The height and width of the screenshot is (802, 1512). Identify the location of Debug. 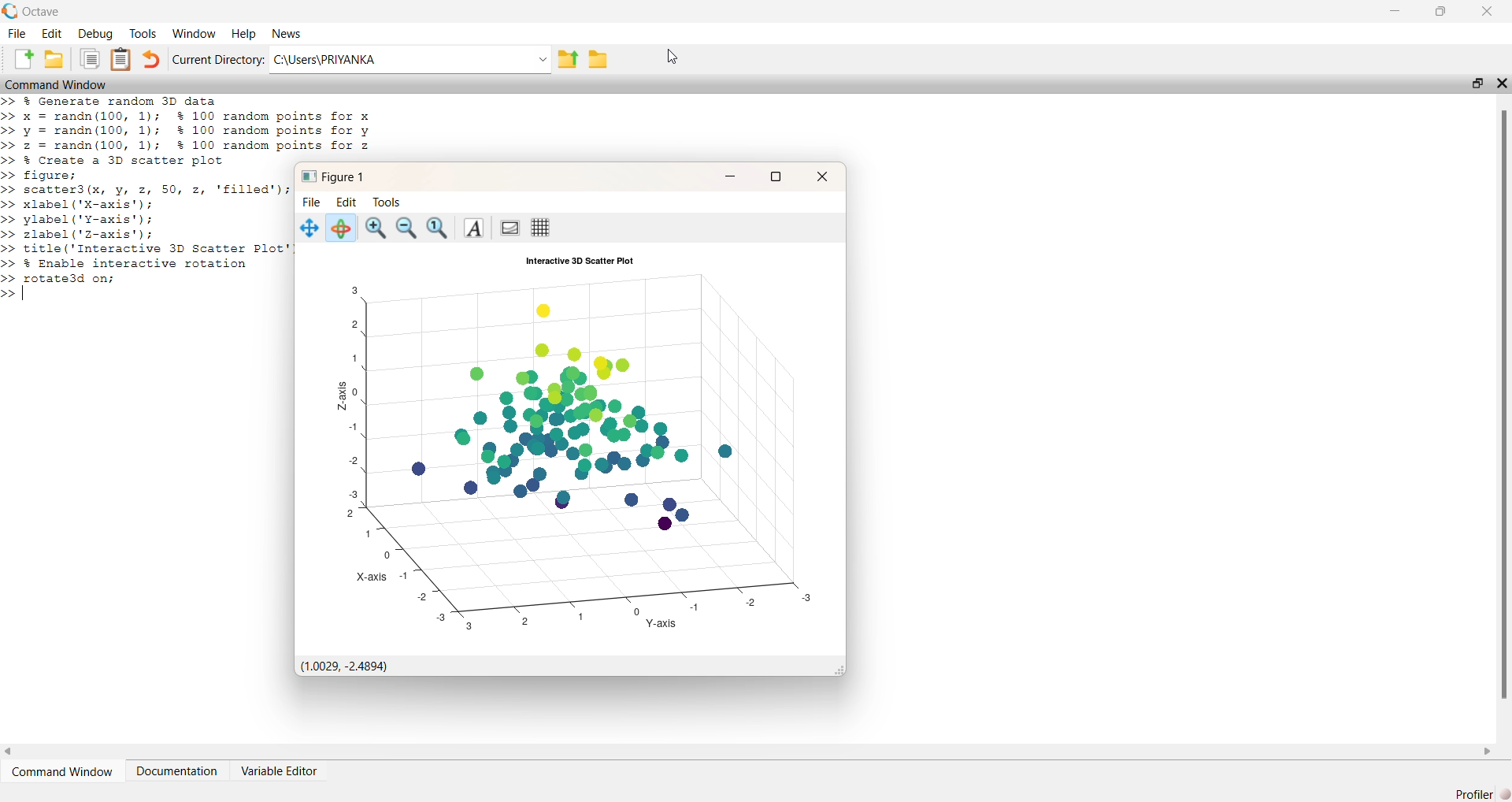
(96, 34).